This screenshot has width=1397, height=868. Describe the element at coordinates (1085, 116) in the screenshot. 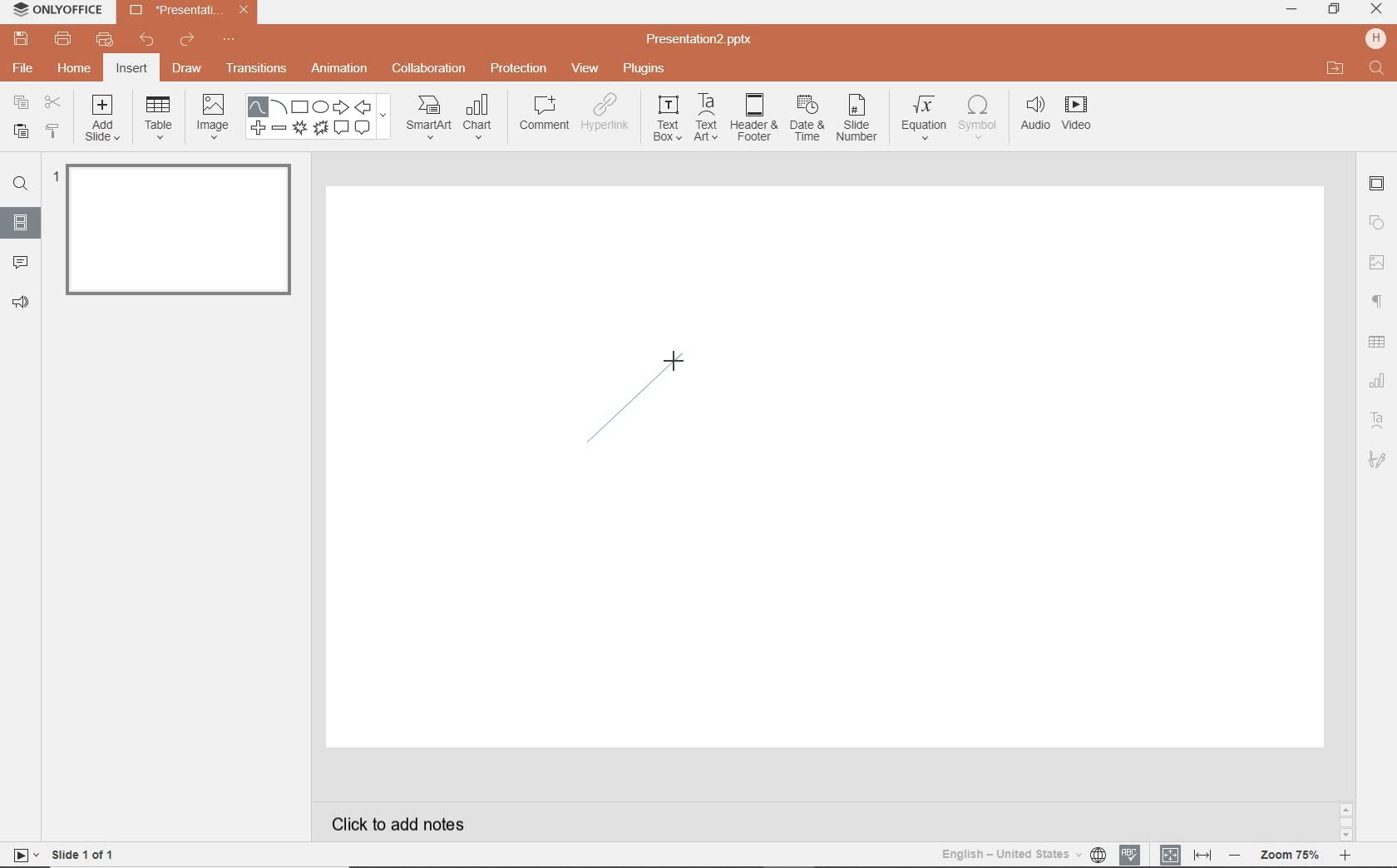

I see `VIDEO` at that location.